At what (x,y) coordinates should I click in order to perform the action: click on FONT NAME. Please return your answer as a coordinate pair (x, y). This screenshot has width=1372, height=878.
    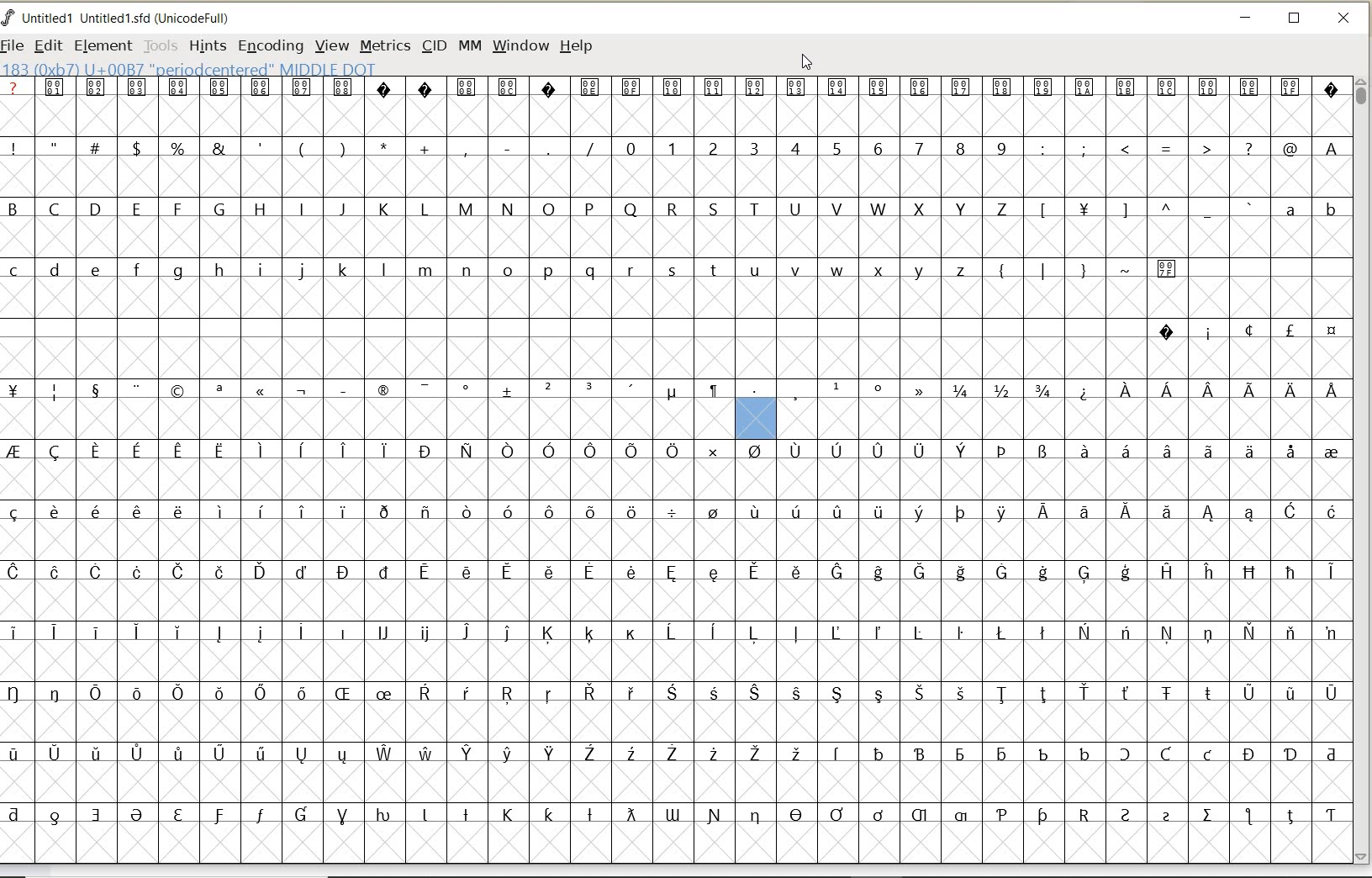
    Looking at the image, I should click on (131, 19).